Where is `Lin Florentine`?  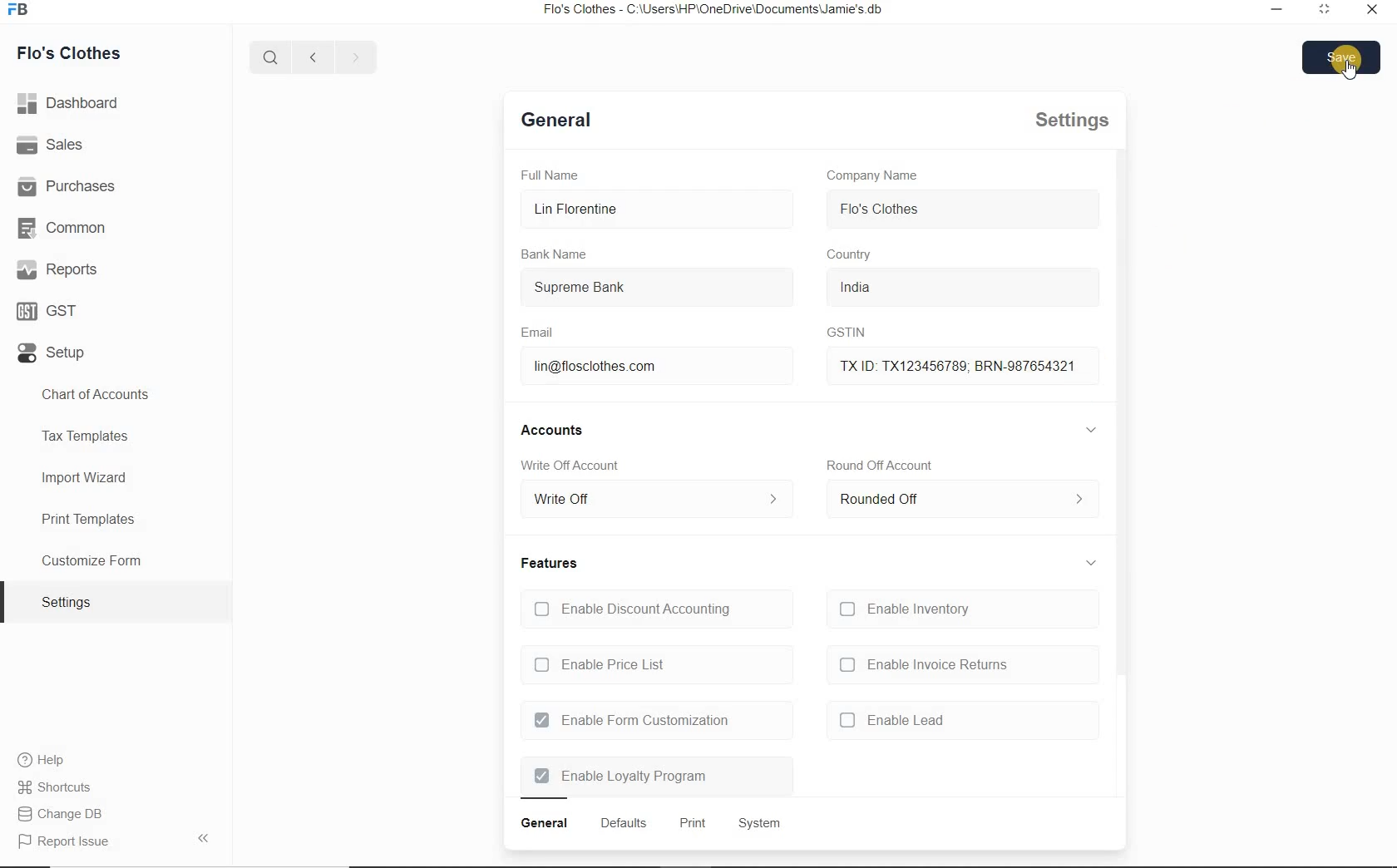 Lin Florentine is located at coordinates (646, 210).